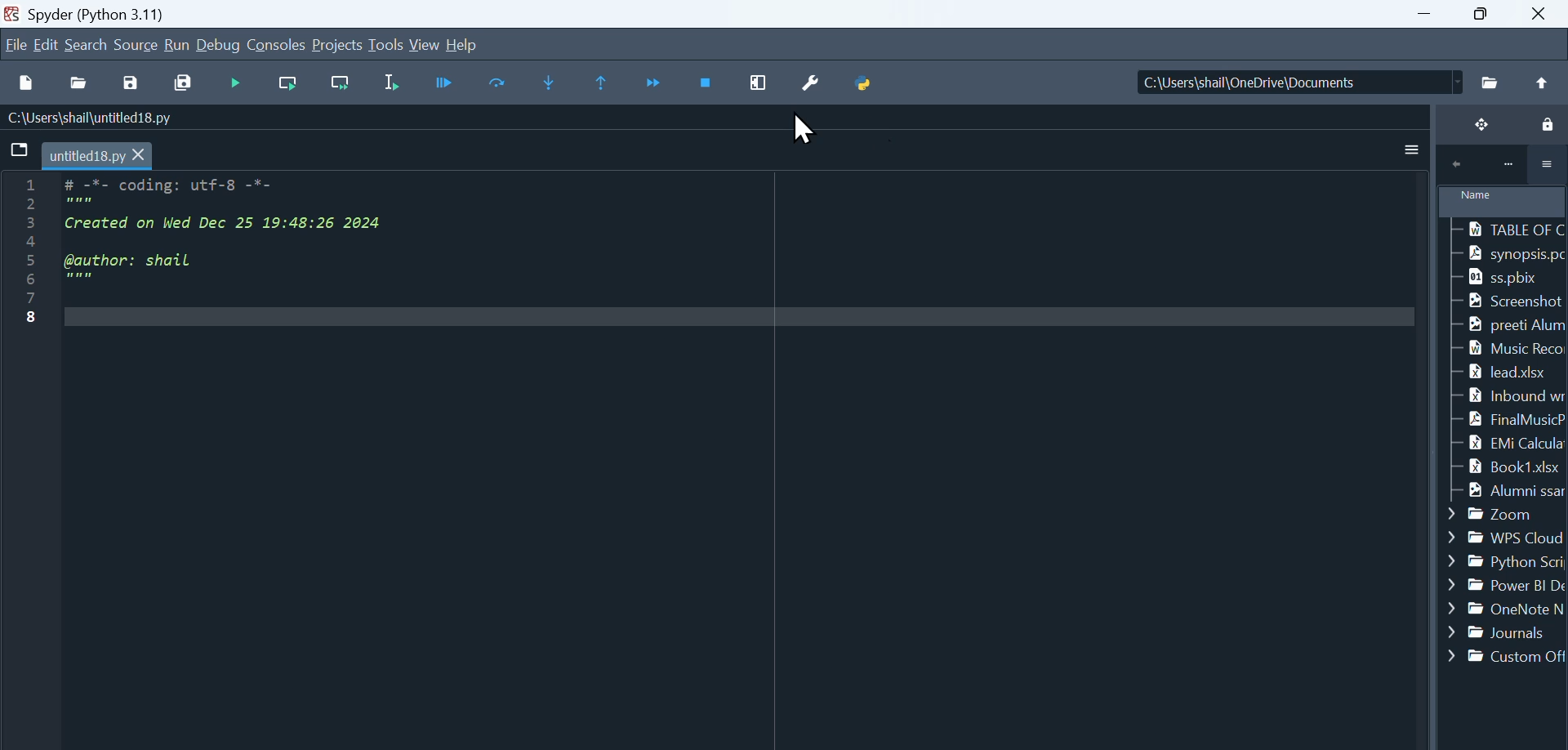 Image resolution: width=1568 pixels, height=750 pixels. Describe the element at coordinates (1491, 84) in the screenshot. I see `open directory` at that location.